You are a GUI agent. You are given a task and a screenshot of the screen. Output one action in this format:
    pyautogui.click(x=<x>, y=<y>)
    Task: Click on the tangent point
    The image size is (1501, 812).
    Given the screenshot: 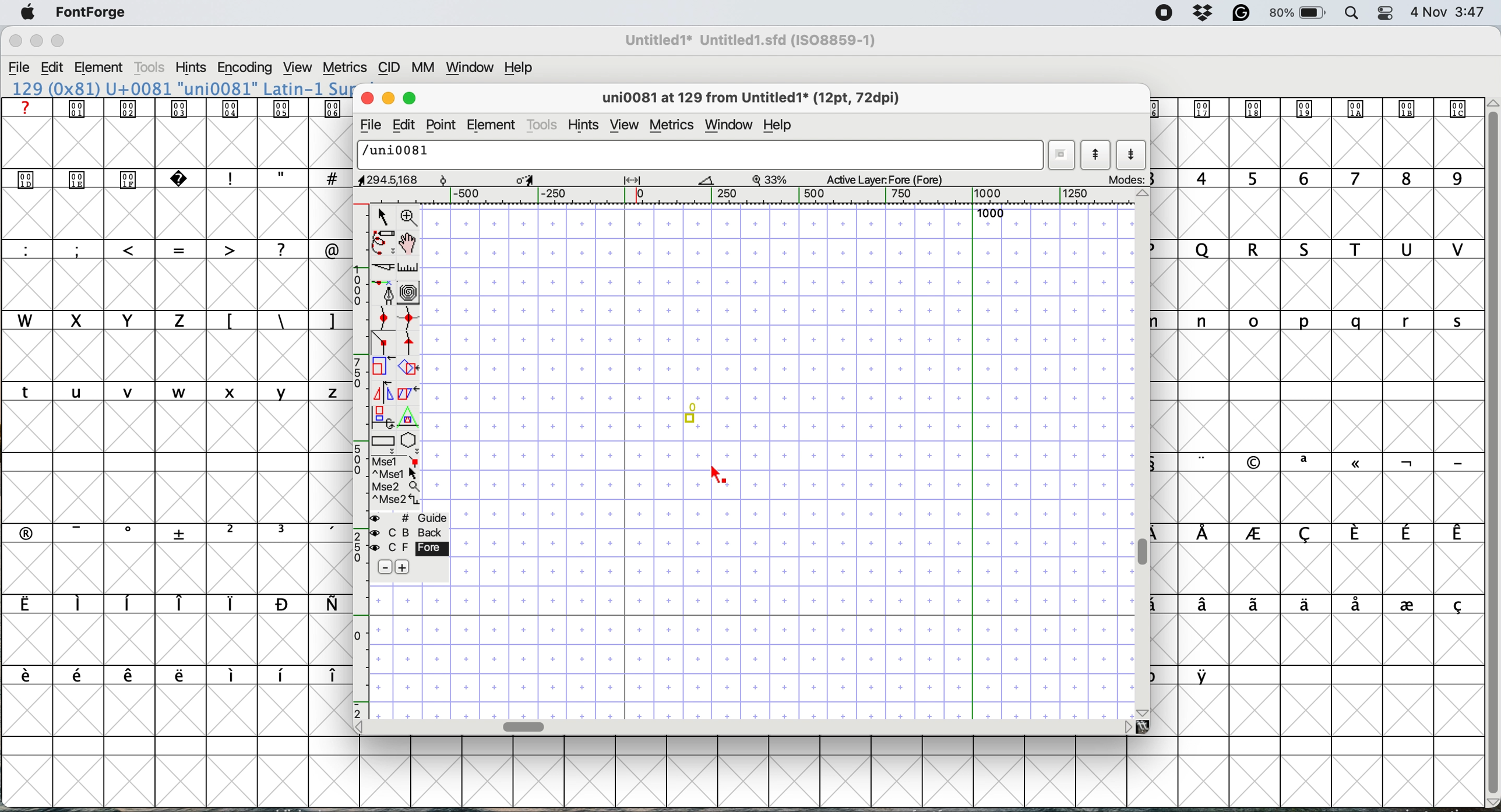 What is the action you would take?
    pyautogui.click(x=411, y=346)
    